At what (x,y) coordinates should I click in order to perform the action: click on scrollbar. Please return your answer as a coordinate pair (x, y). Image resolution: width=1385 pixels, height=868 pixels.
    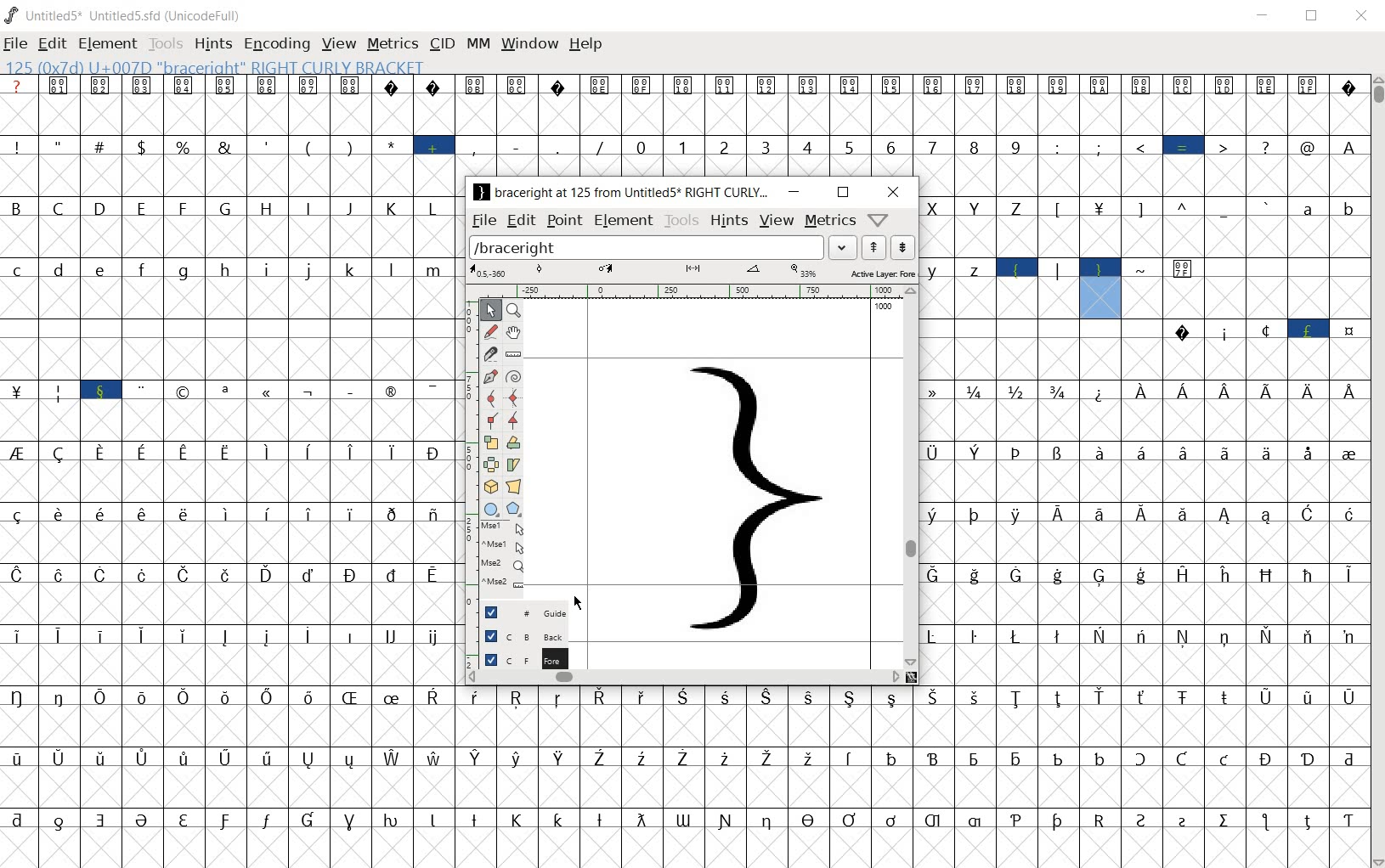
    Looking at the image, I should click on (913, 476).